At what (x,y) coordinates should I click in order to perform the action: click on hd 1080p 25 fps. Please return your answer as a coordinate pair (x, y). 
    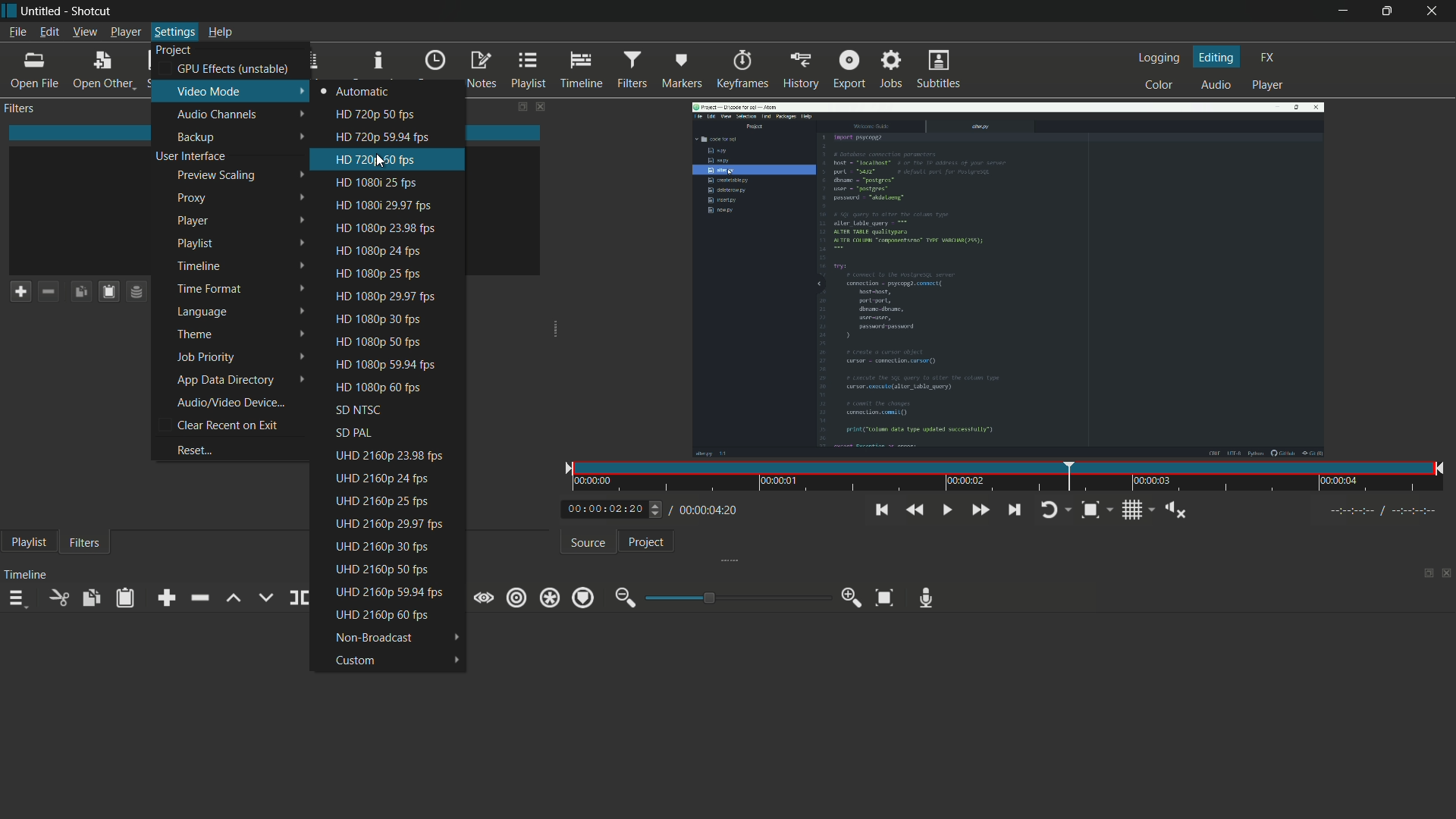
    Looking at the image, I should click on (397, 272).